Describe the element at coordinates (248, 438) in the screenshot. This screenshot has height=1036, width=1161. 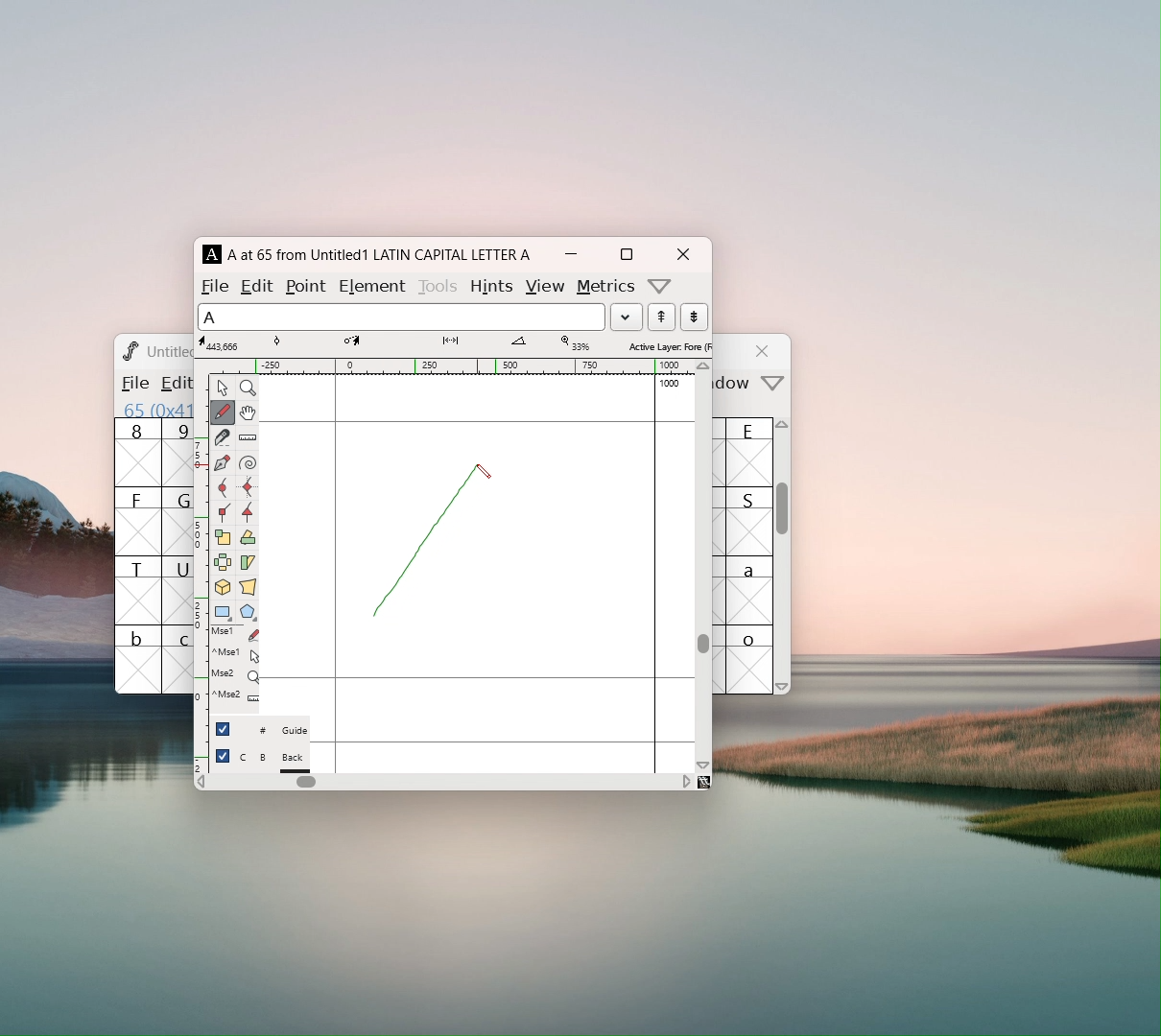
I see `measure distance, angle between points` at that location.